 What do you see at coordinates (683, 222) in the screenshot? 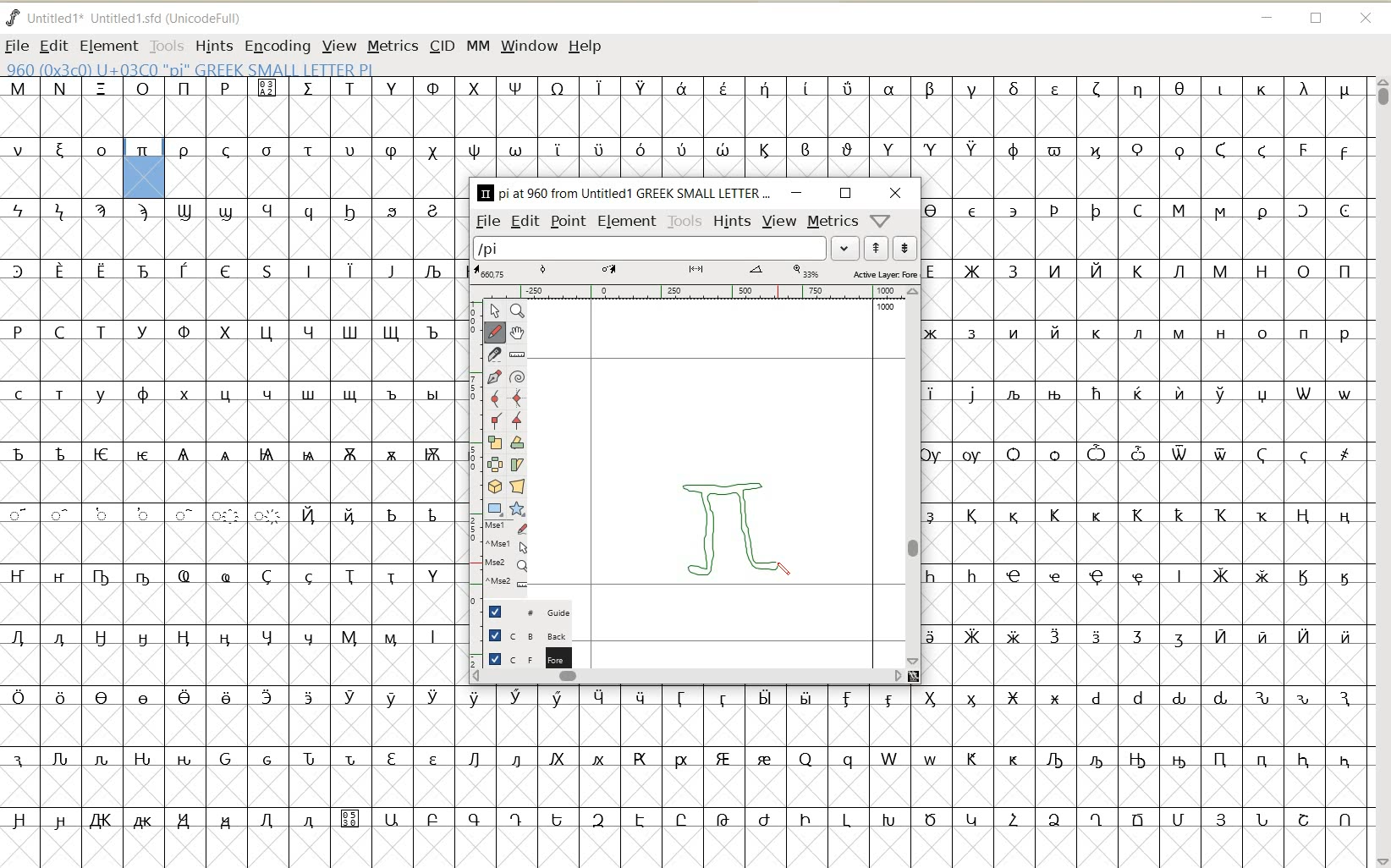
I see `TOOLS` at bounding box center [683, 222].